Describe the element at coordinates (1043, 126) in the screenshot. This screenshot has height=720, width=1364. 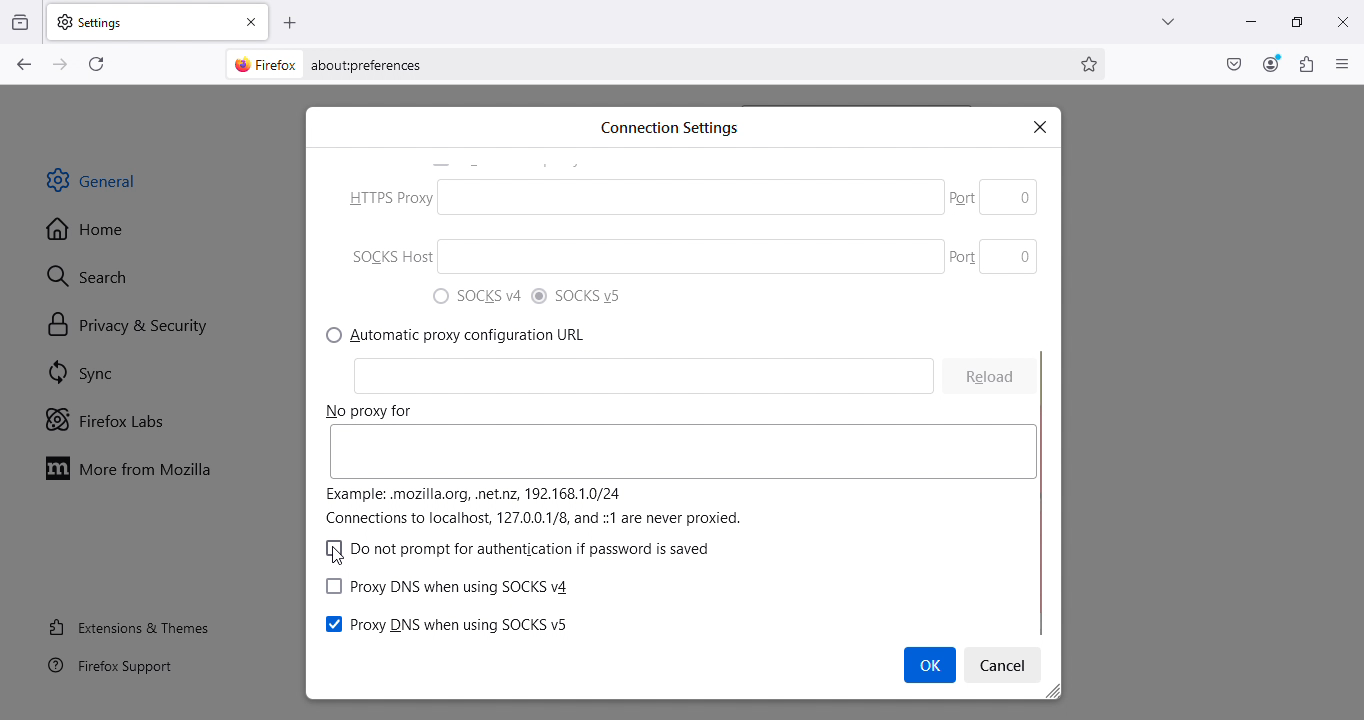
I see `x |close` at that location.